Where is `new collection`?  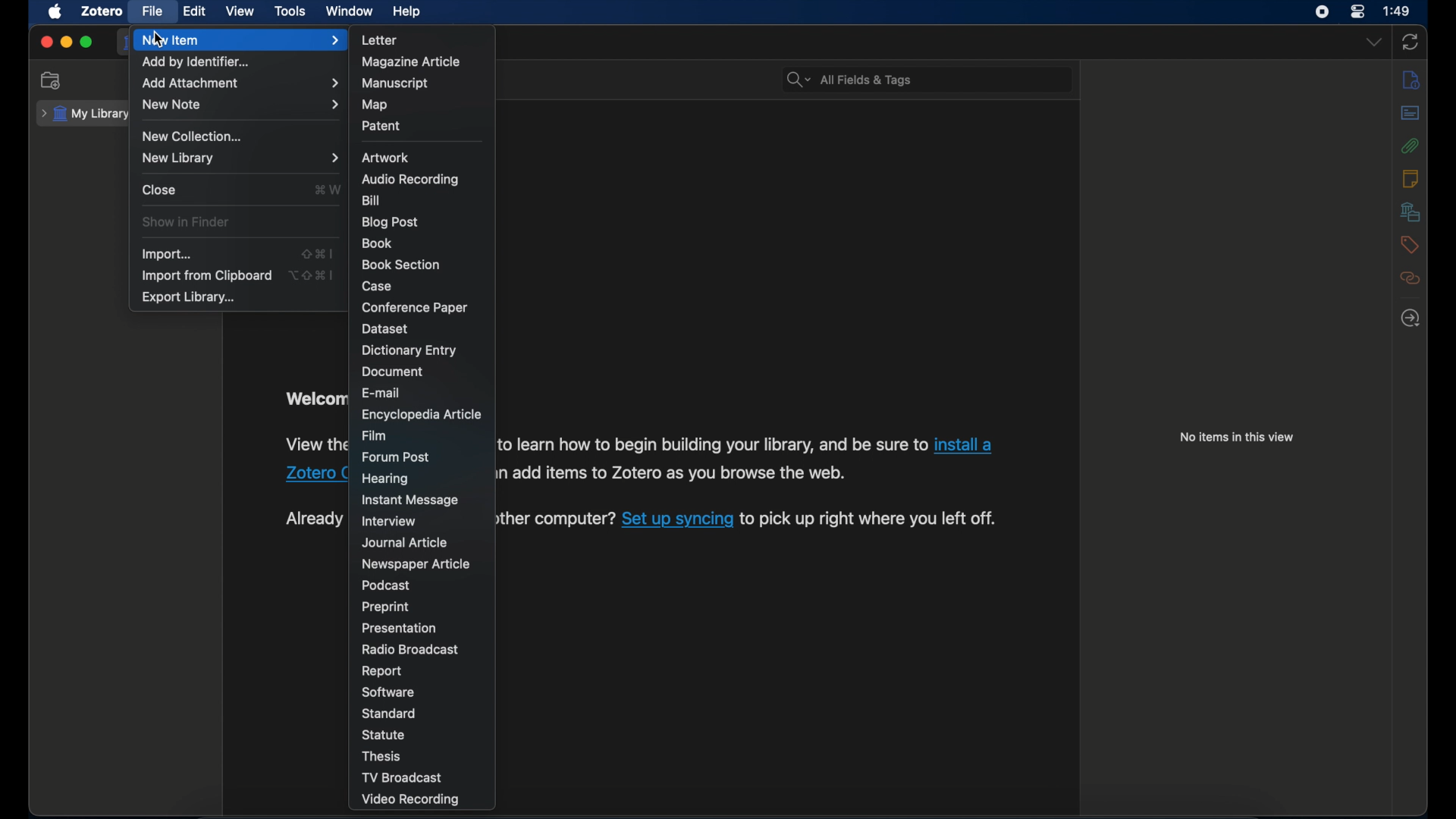 new collection is located at coordinates (54, 80).